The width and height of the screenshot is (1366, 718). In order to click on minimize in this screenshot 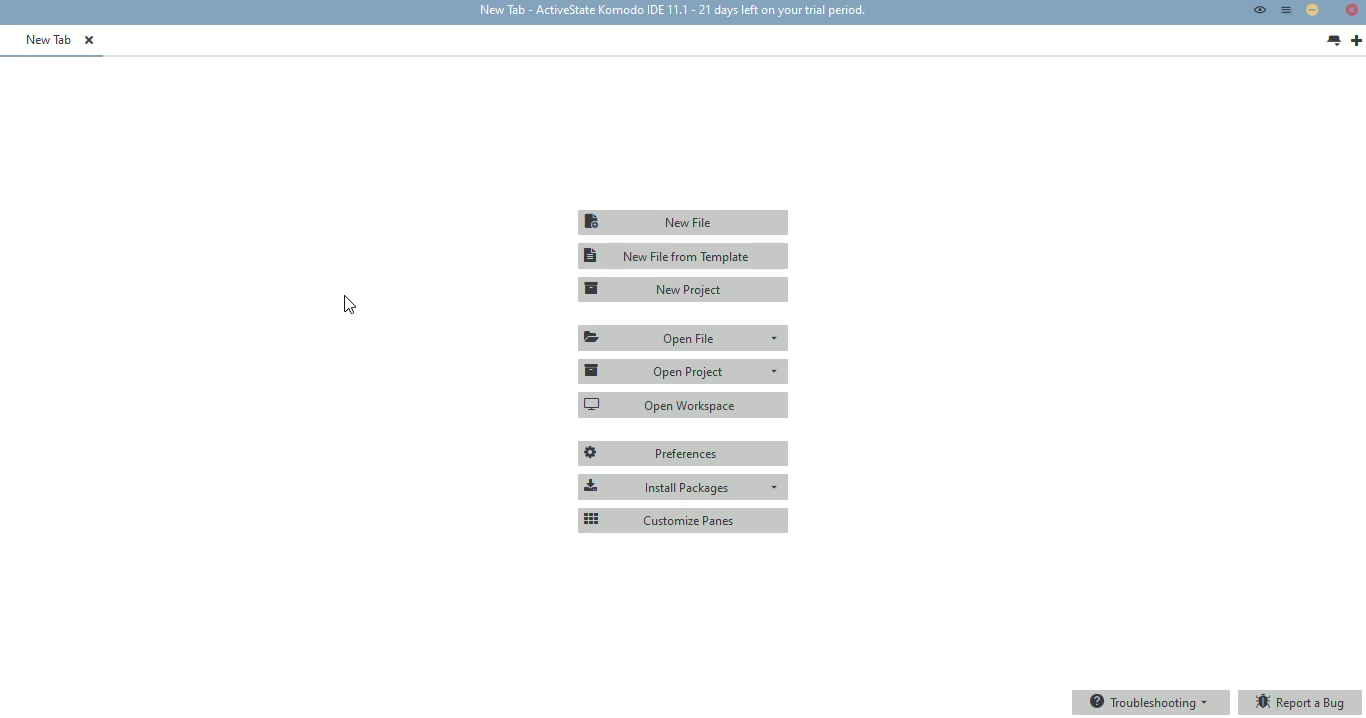, I will do `click(1312, 9)`.